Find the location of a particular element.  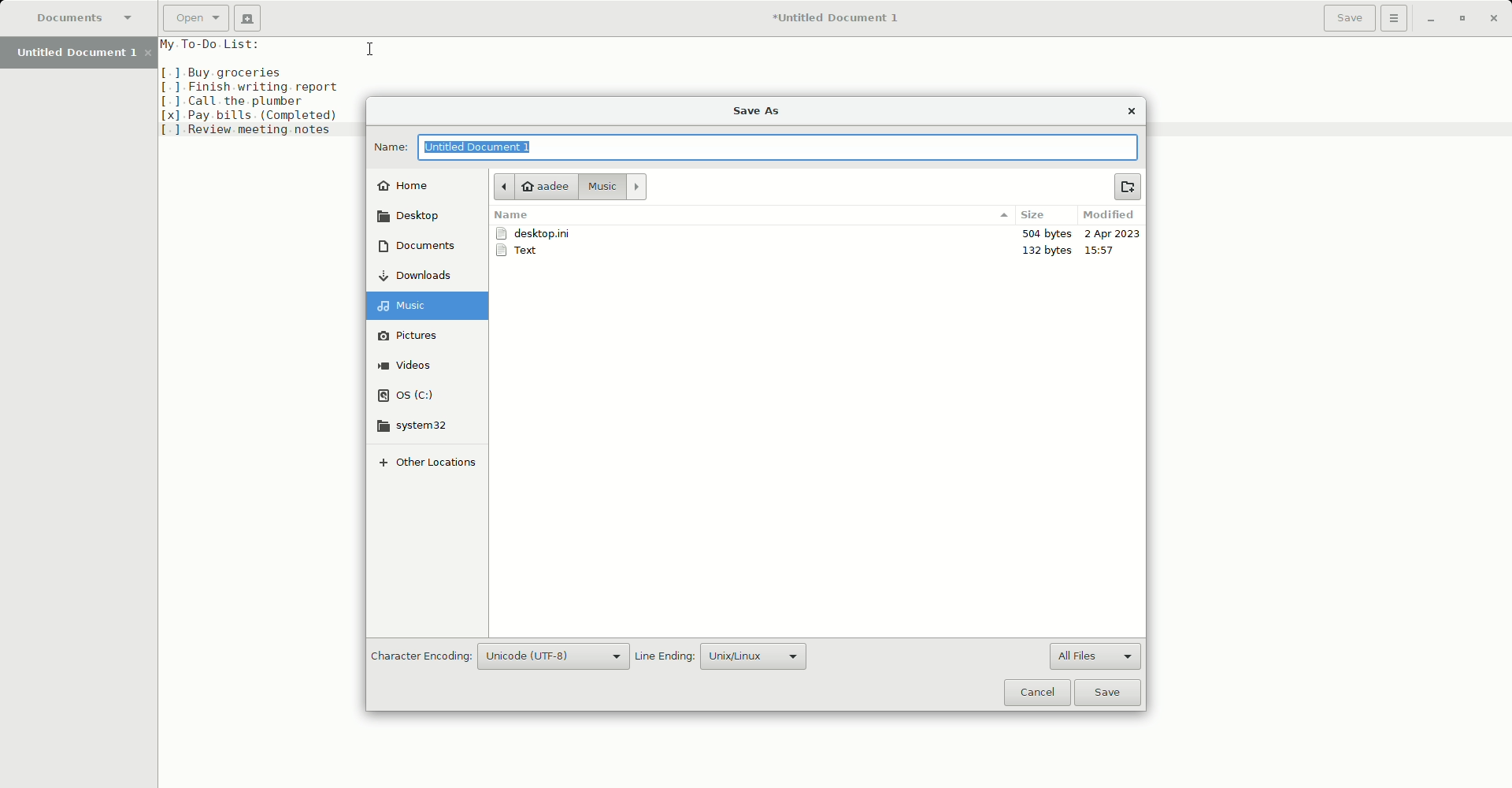

Save is located at coordinates (1111, 693).